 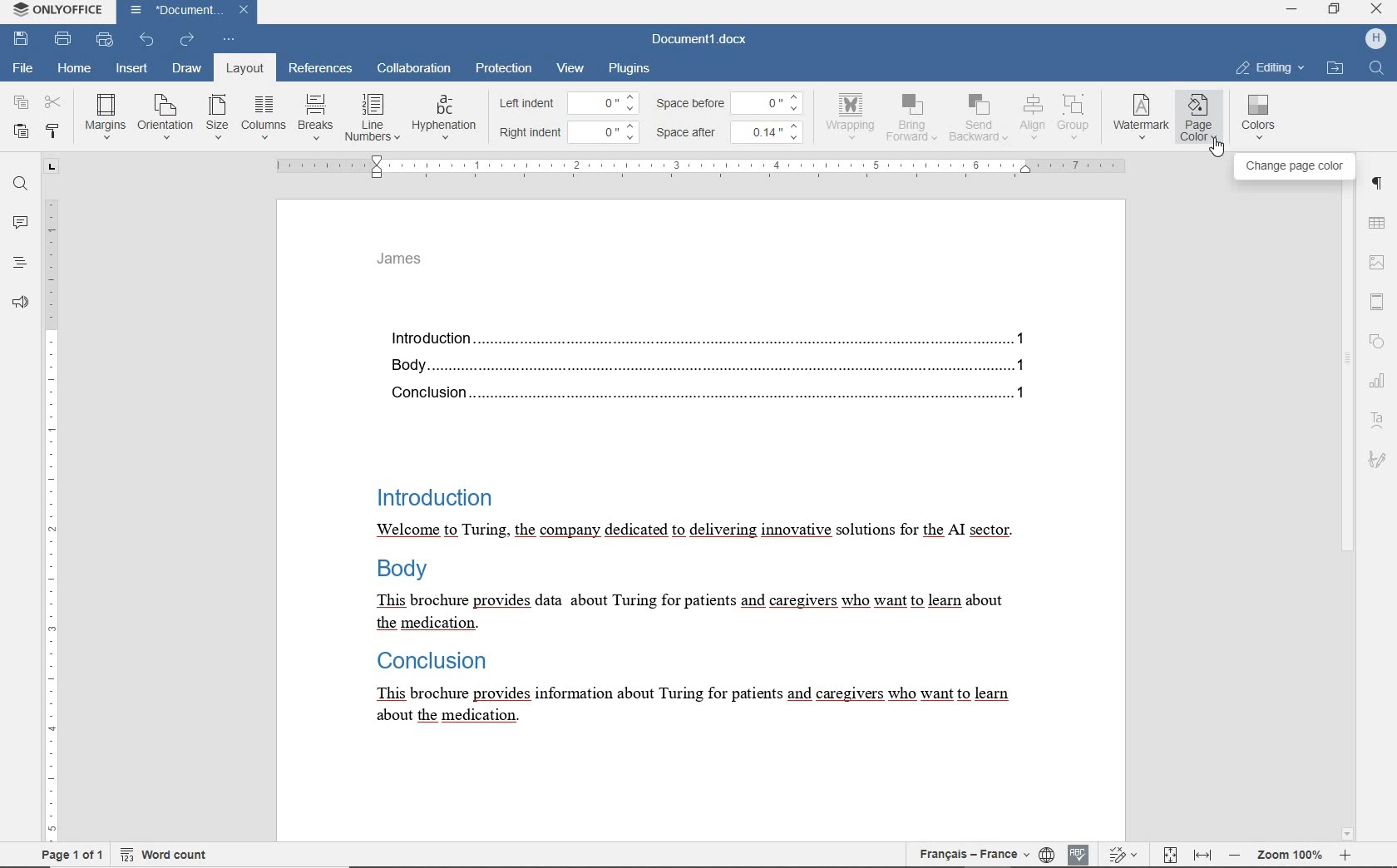 What do you see at coordinates (185, 67) in the screenshot?
I see `draw` at bounding box center [185, 67].